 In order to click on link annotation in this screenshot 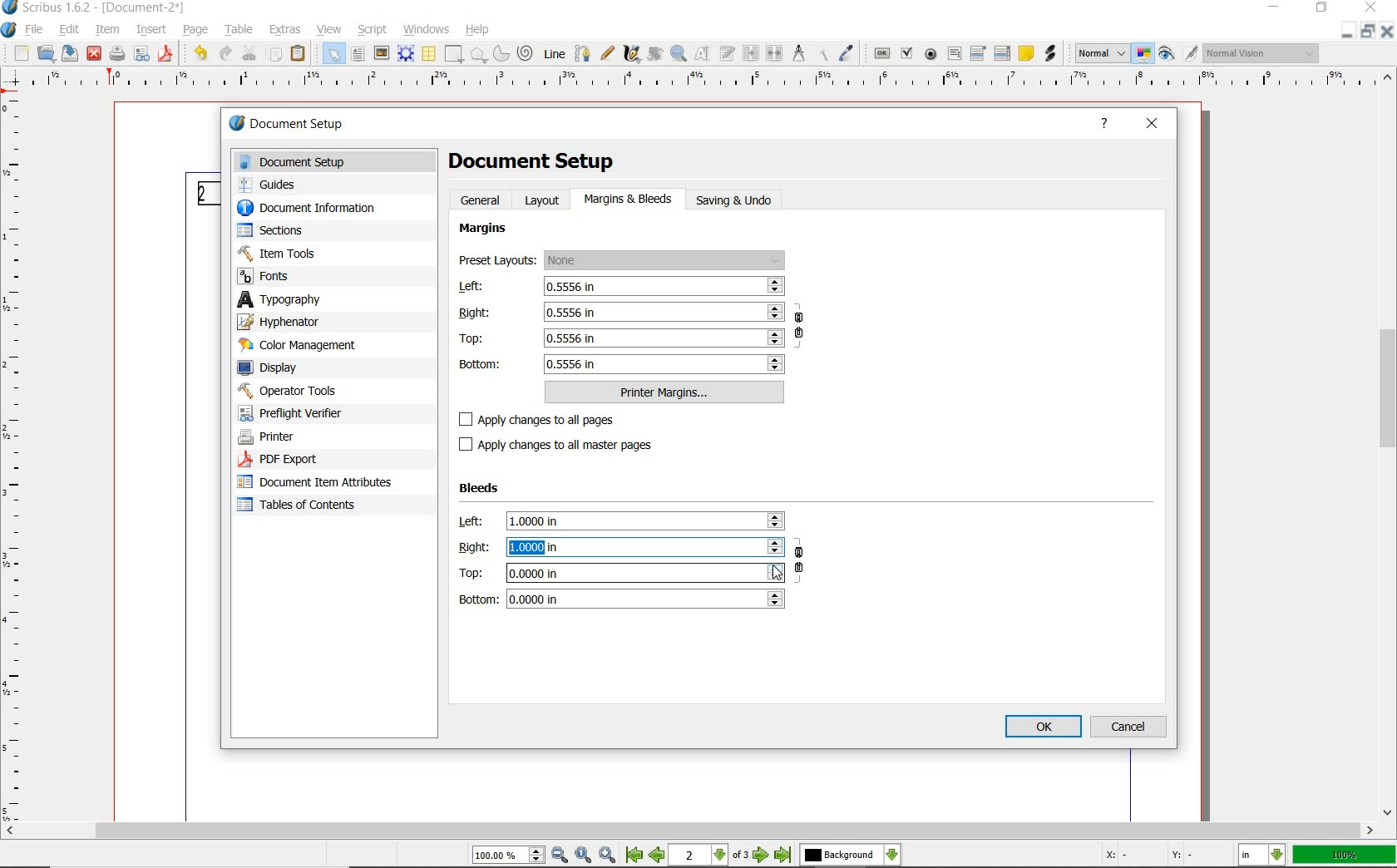, I will do `click(1051, 54)`.